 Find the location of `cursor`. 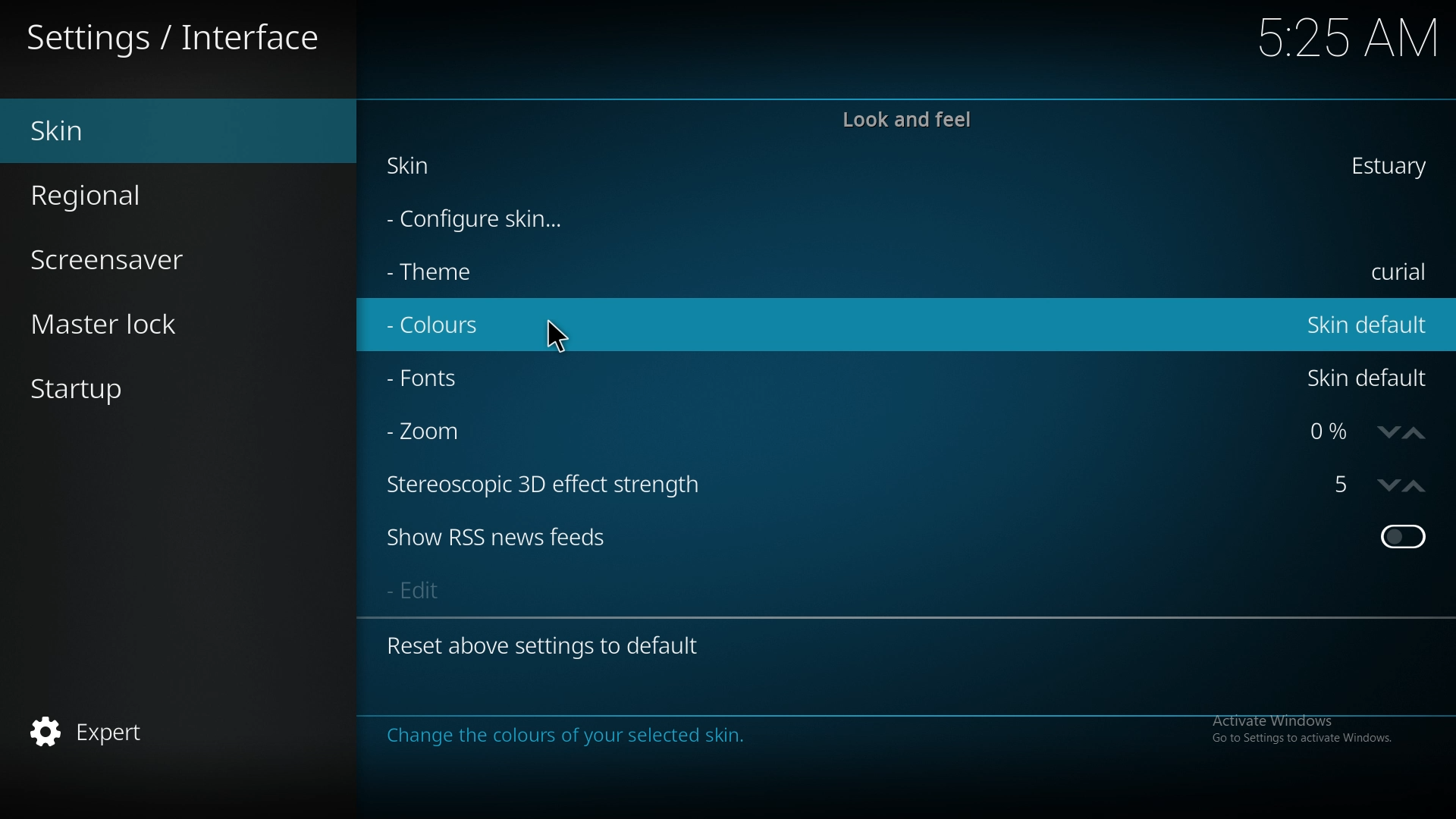

cursor is located at coordinates (557, 336).